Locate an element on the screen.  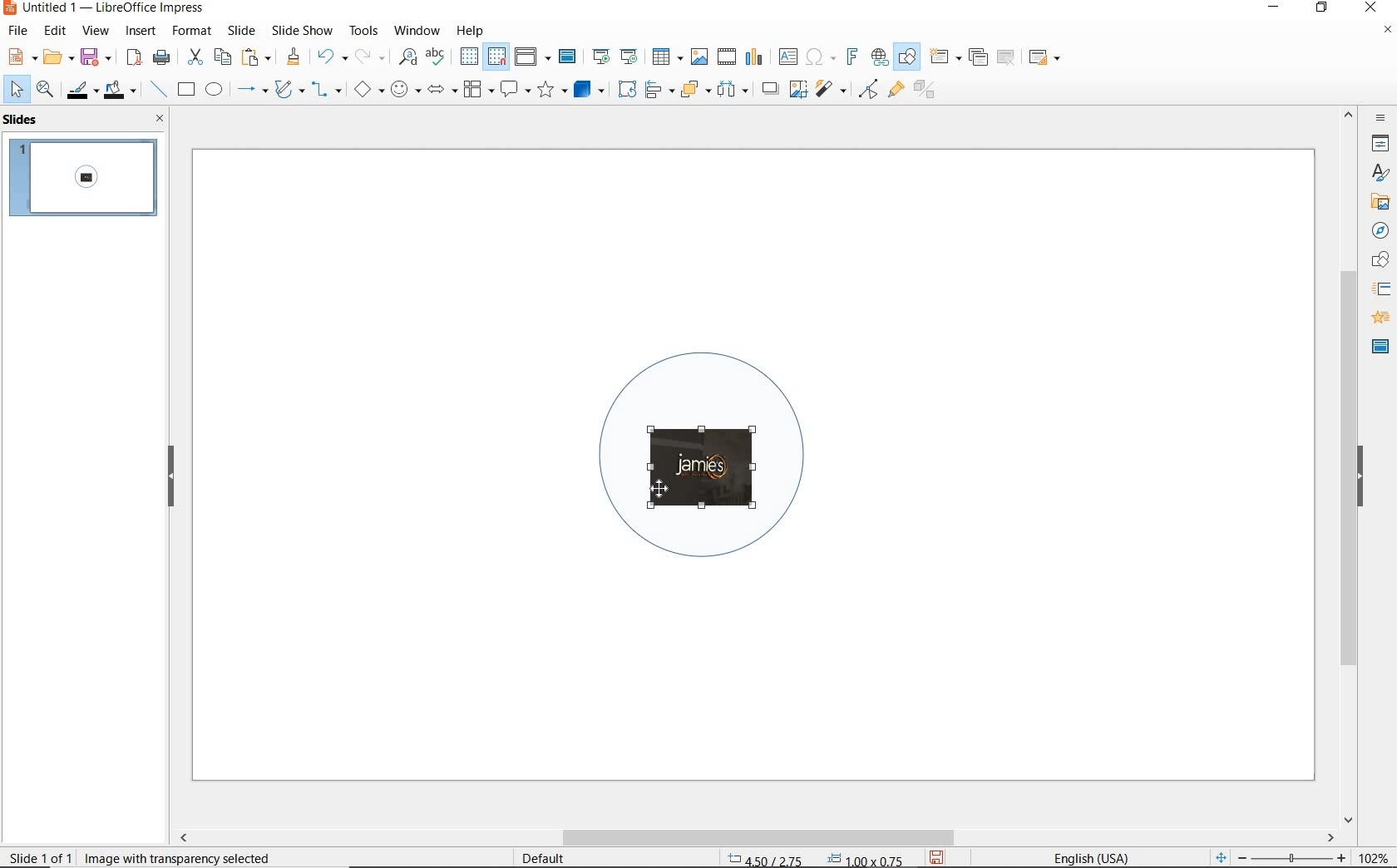
cut is located at coordinates (193, 57).